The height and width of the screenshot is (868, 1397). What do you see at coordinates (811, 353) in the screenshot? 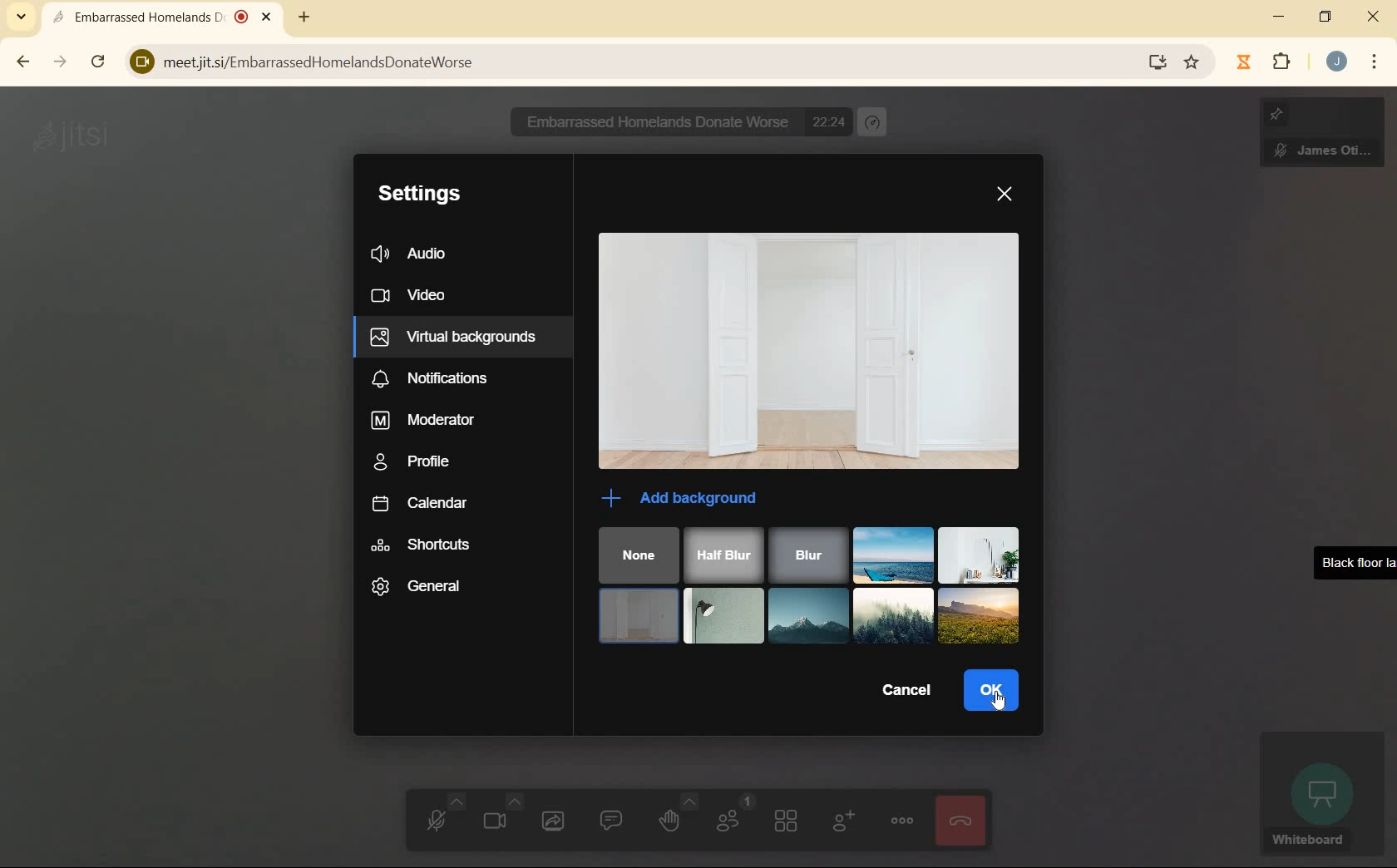
I see `Preview: white empty room added` at bounding box center [811, 353].